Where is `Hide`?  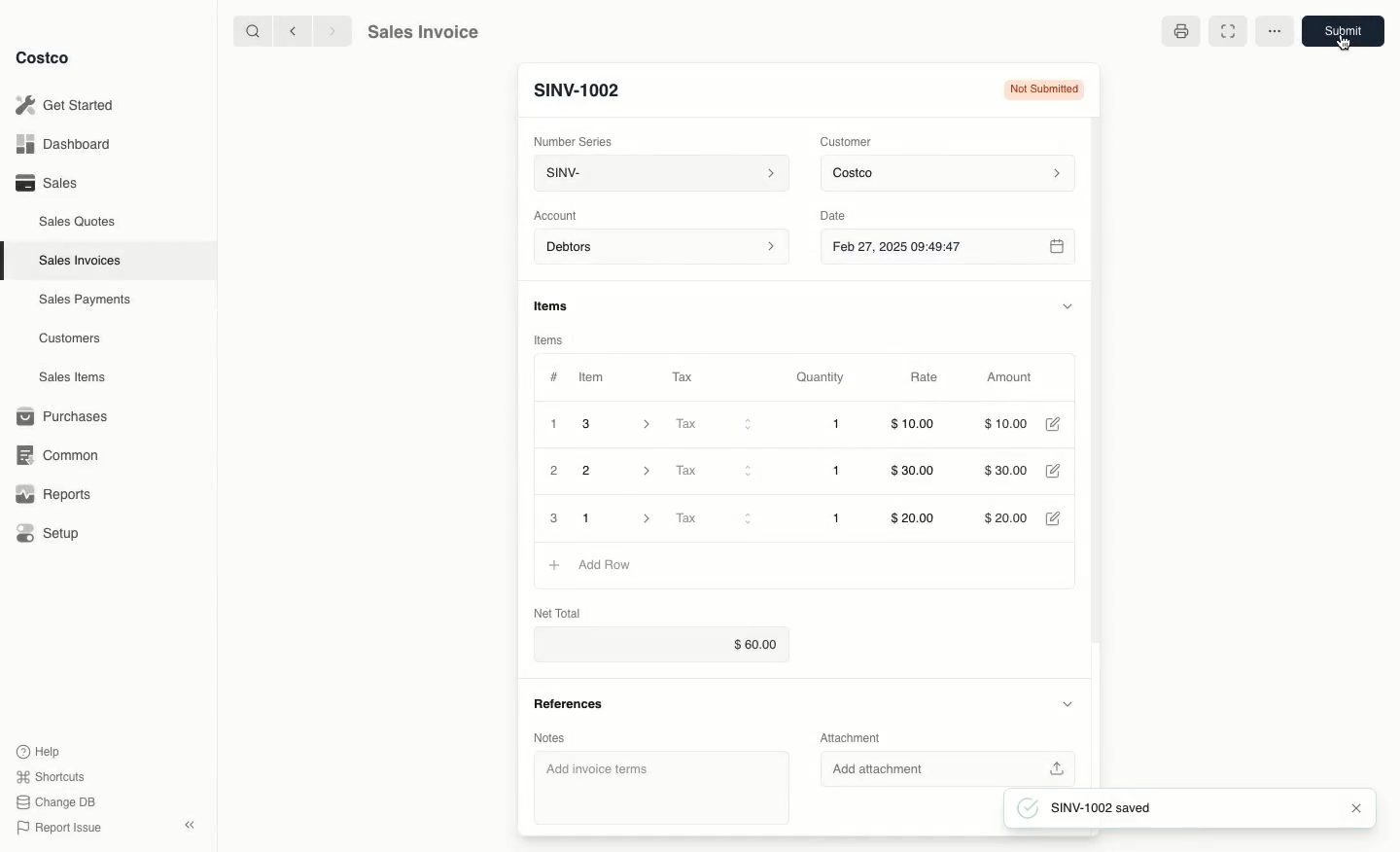 Hide is located at coordinates (1068, 705).